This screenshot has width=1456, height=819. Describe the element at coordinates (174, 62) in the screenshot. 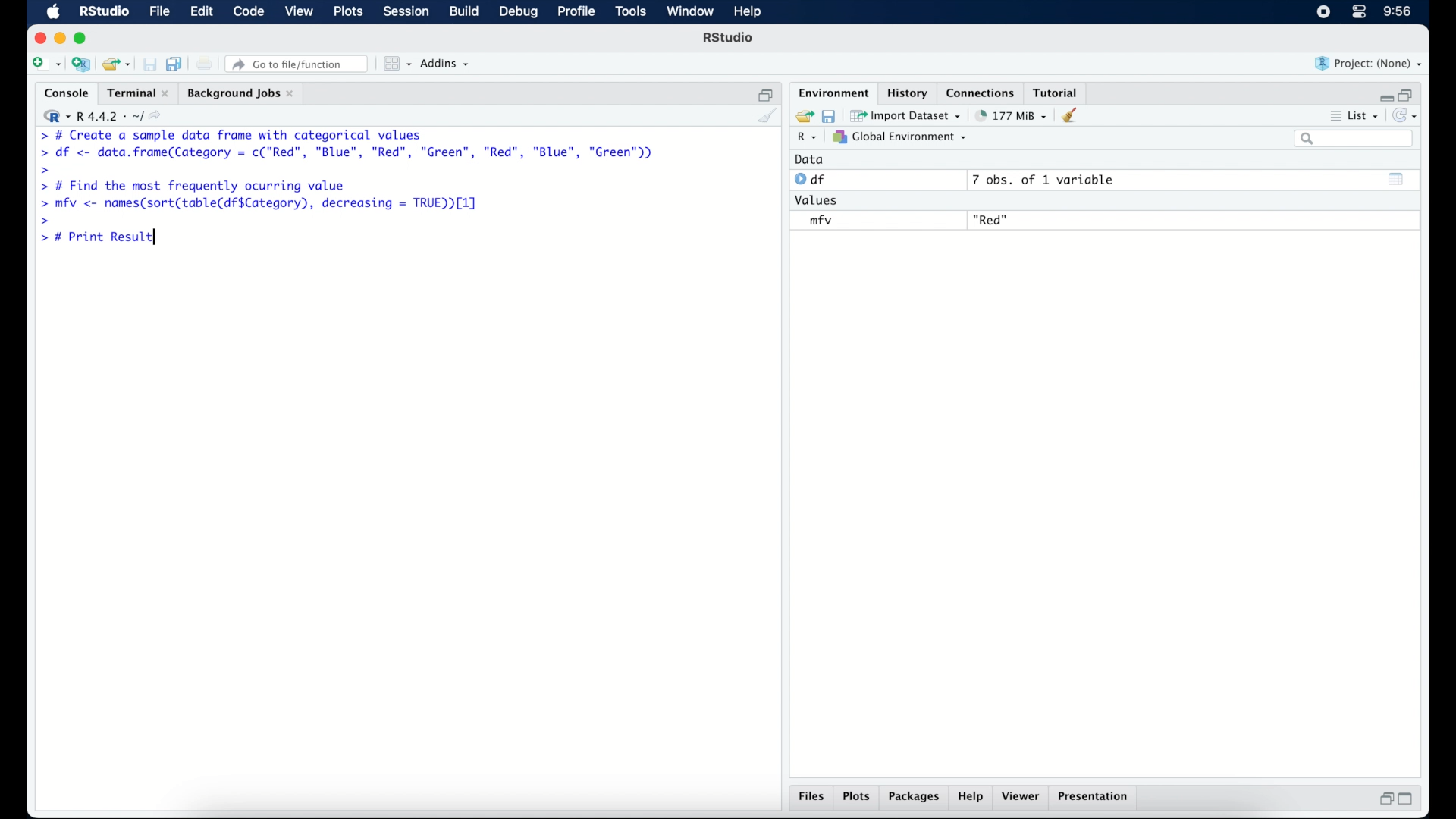

I see `save all open documents` at that location.